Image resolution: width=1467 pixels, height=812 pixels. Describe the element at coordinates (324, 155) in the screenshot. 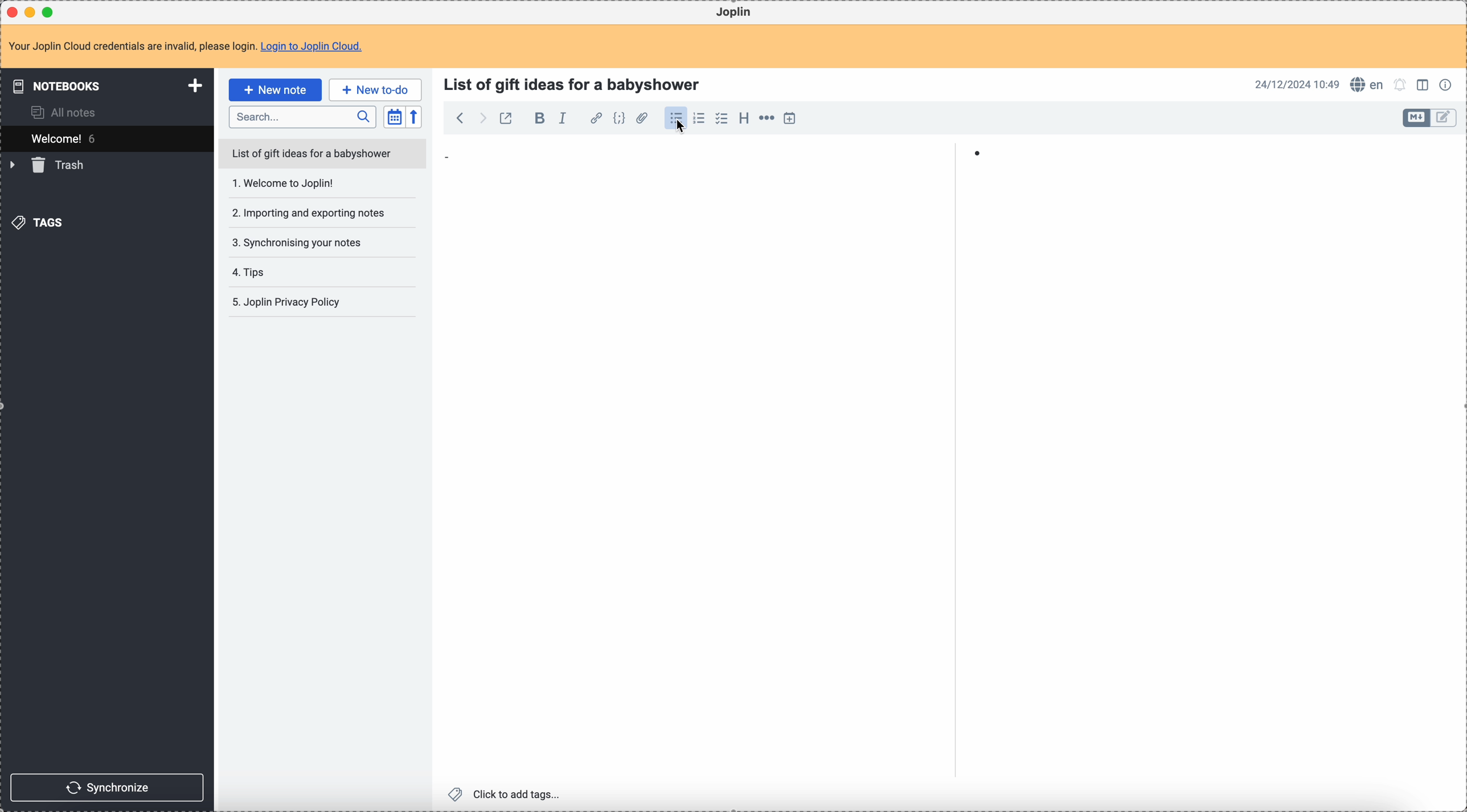

I see `list of gift ideas for a babyshower` at that location.